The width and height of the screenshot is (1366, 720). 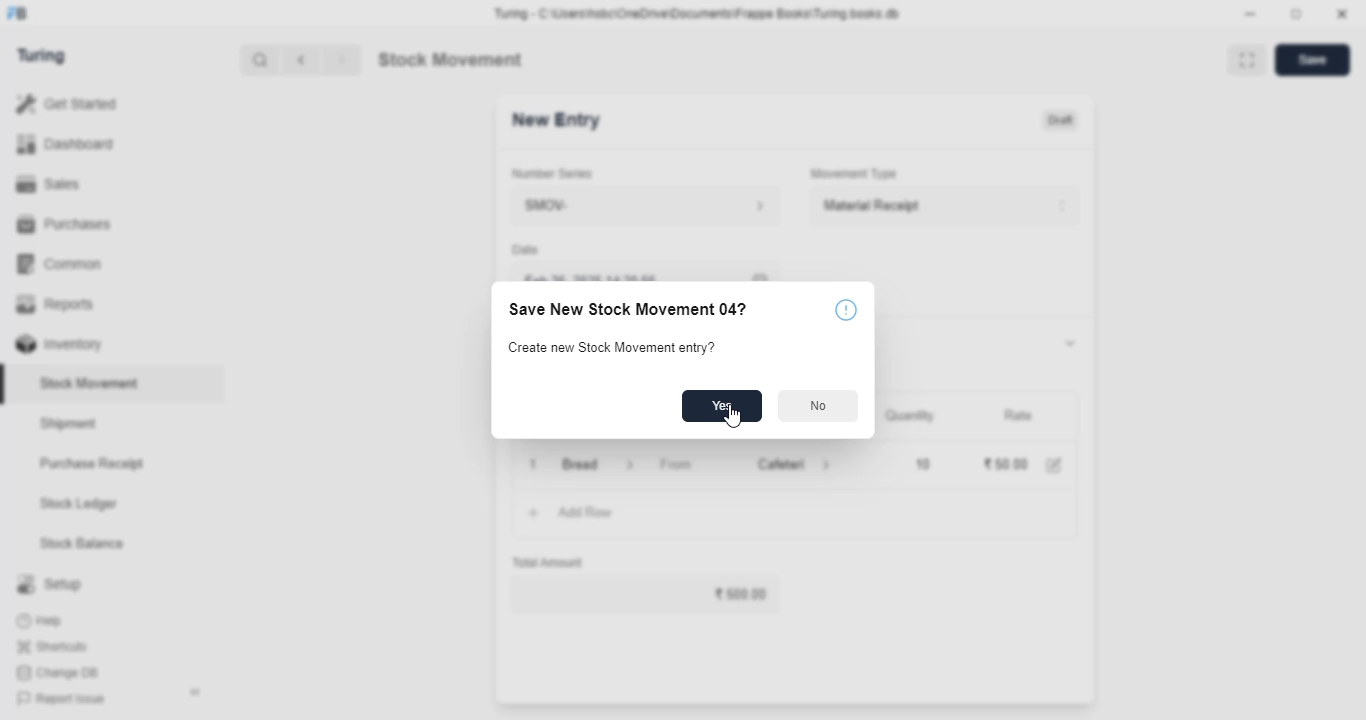 What do you see at coordinates (42, 621) in the screenshot?
I see `help` at bounding box center [42, 621].